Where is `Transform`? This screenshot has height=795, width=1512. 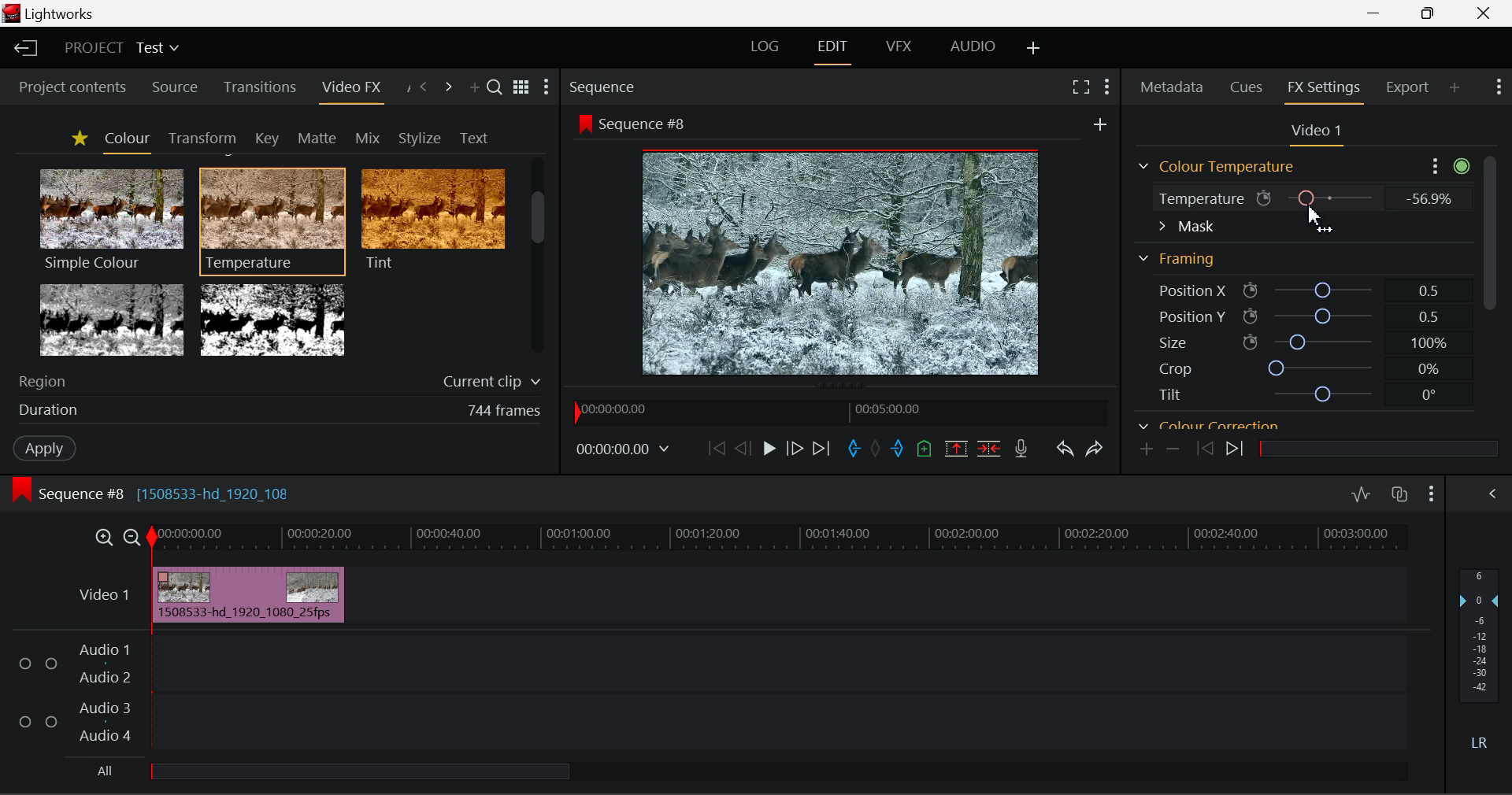
Transform is located at coordinates (199, 137).